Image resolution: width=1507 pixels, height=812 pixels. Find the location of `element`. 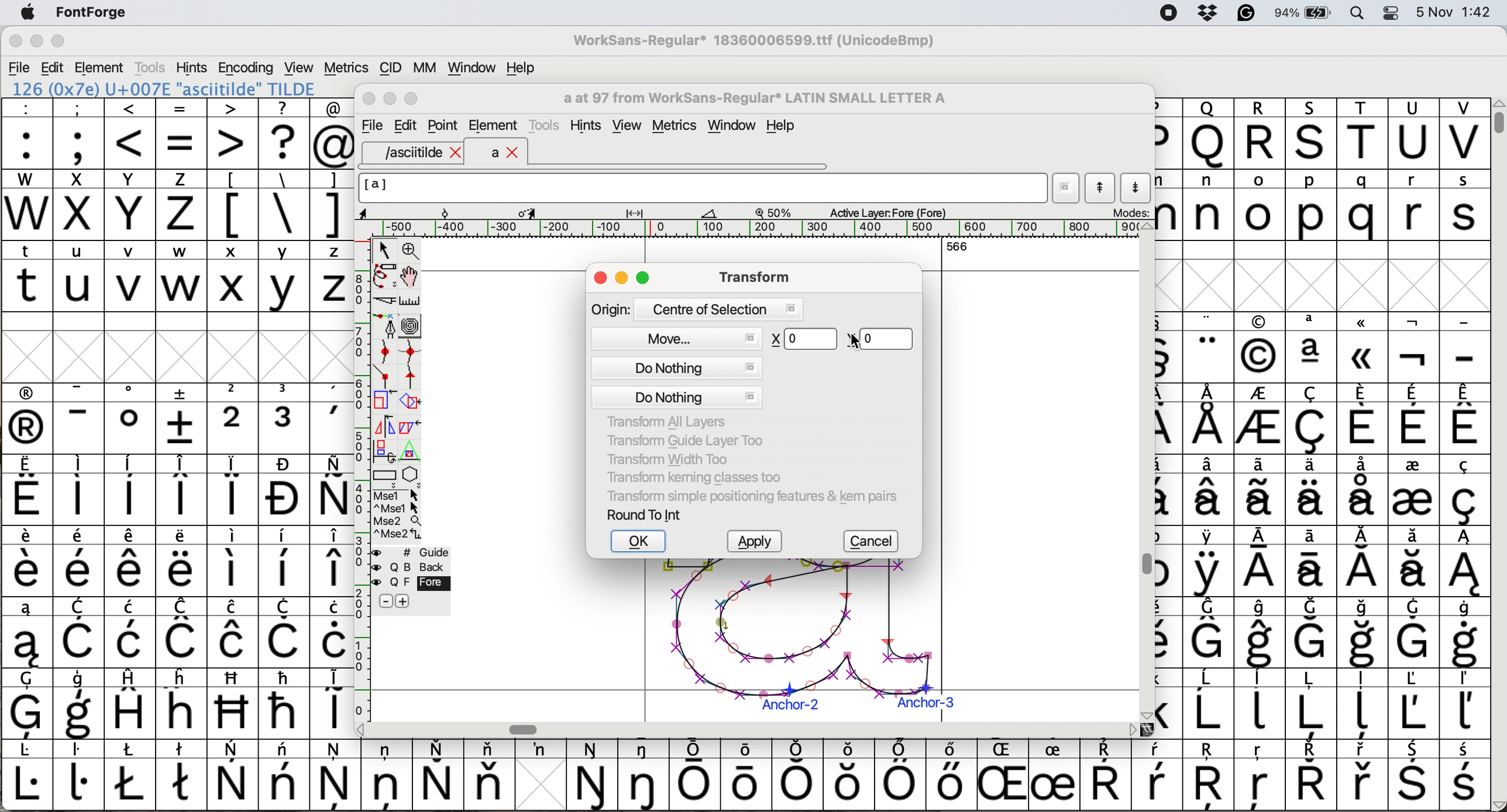

element is located at coordinates (101, 67).